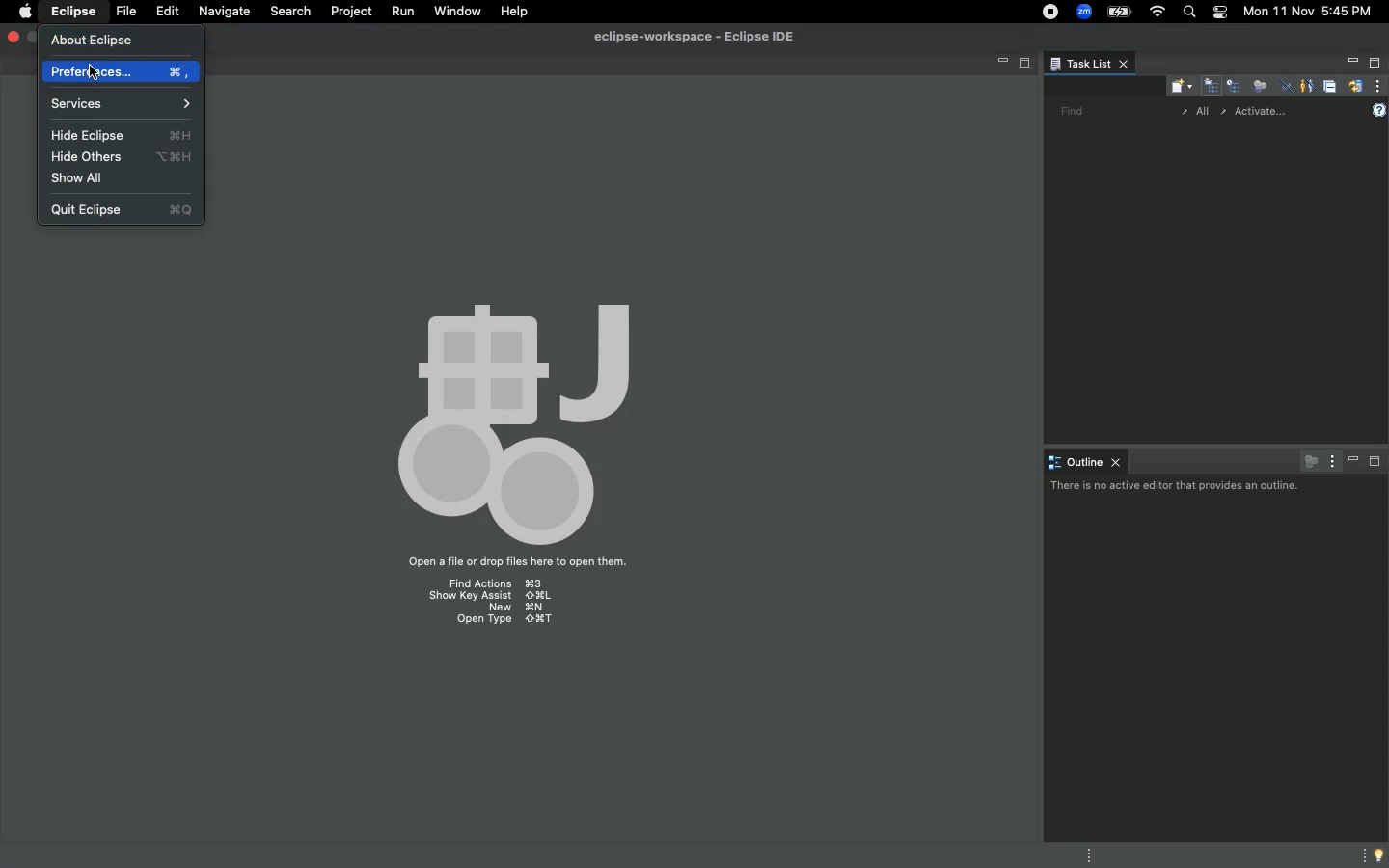 The image size is (1389, 868). Describe the element at coordinates (1083, 14) in the screenshot. I see `Zoom` at that location.